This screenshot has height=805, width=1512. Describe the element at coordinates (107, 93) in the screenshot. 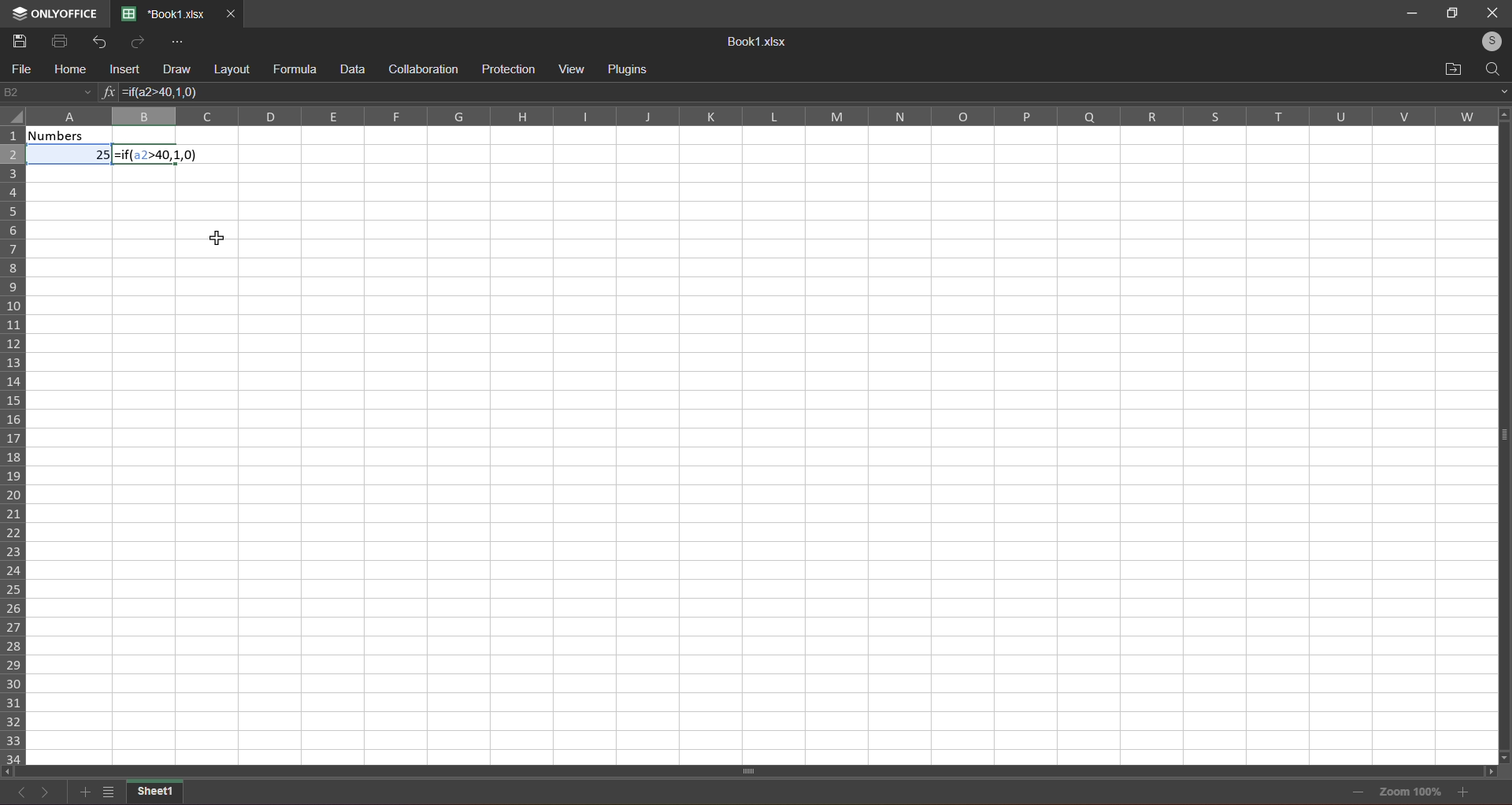

I see `functions` at that location.